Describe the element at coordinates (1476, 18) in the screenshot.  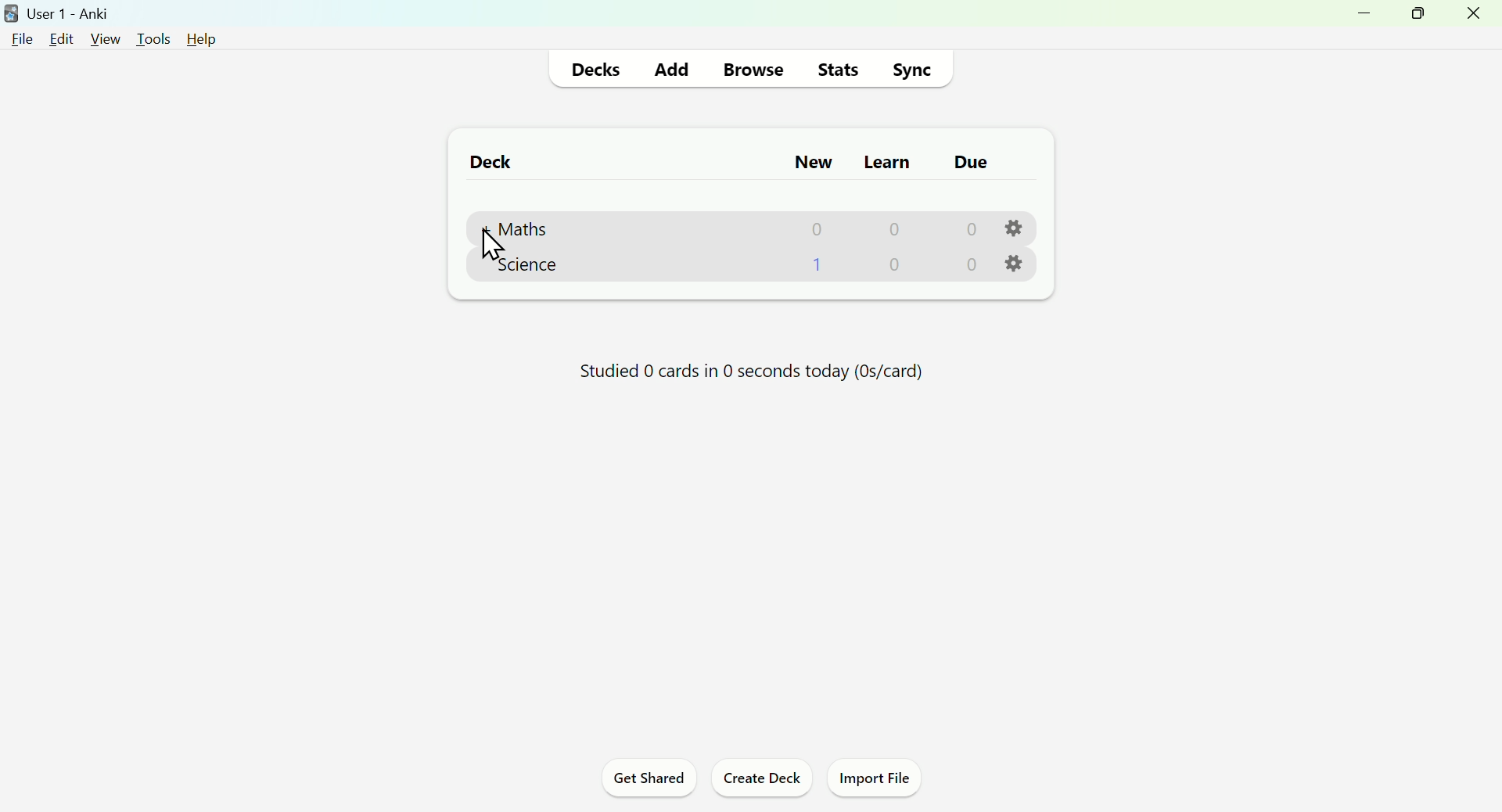
I see `Close` at that location.